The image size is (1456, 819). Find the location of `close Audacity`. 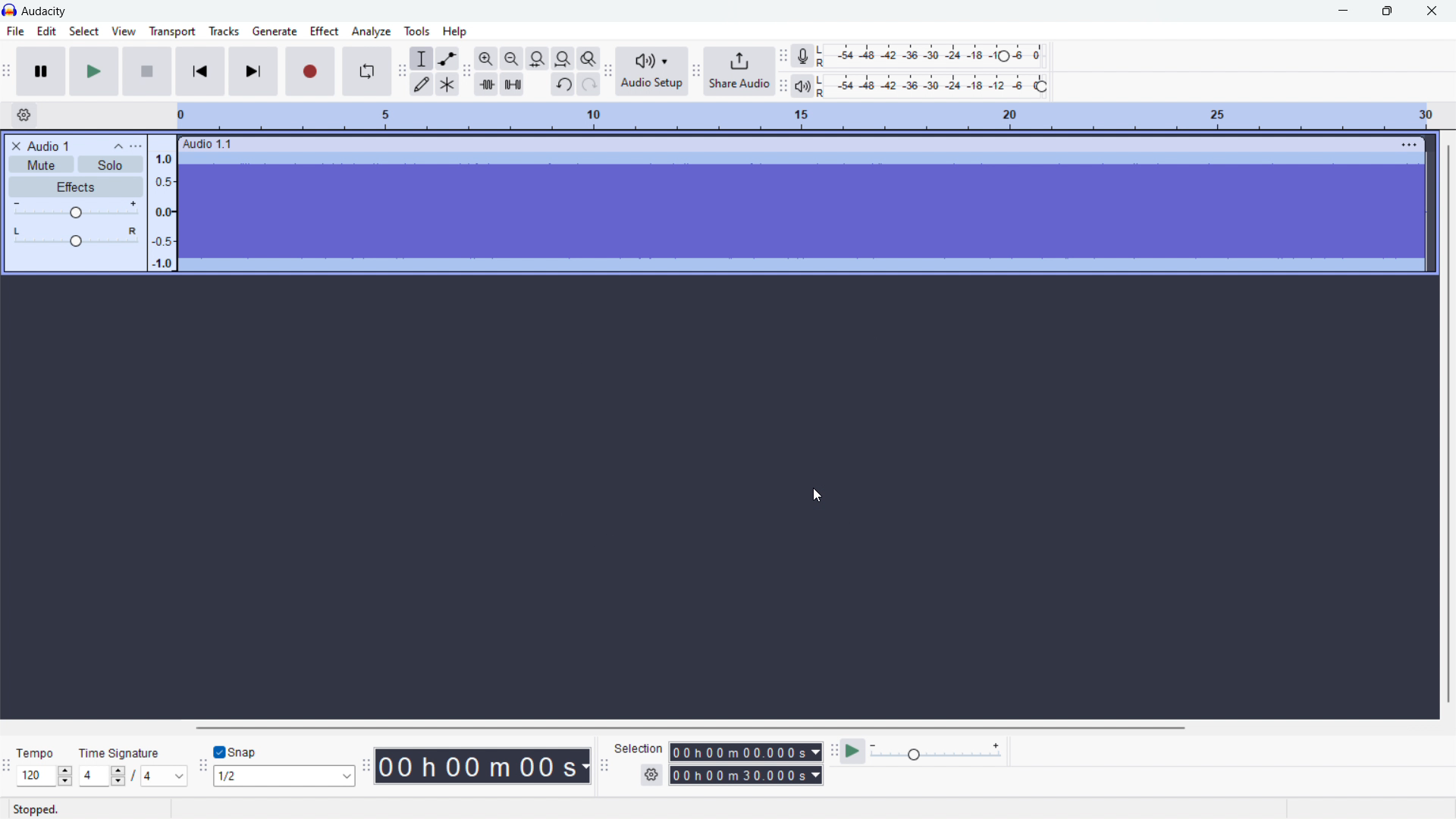

close Audacity is located at coordinates (1428, 10).